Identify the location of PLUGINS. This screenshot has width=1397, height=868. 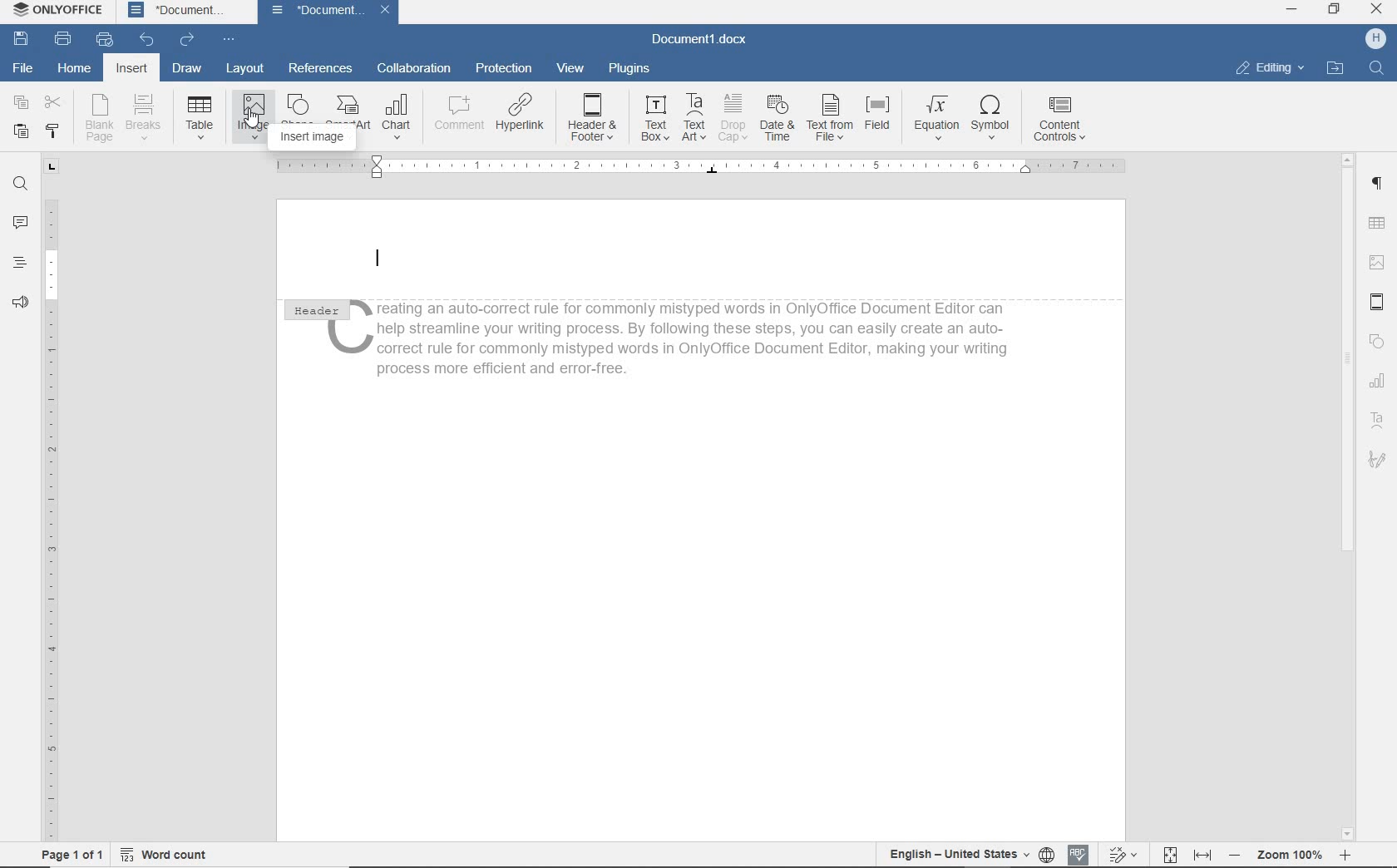
(629, 69).